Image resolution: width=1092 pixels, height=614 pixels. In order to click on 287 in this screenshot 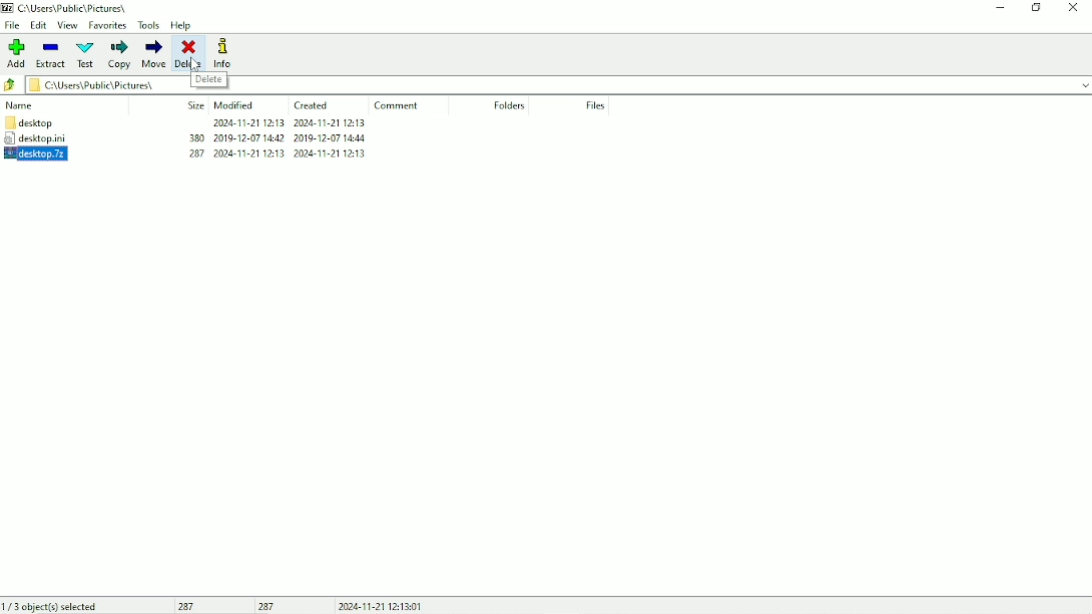, I will do `click(191, 606)`.